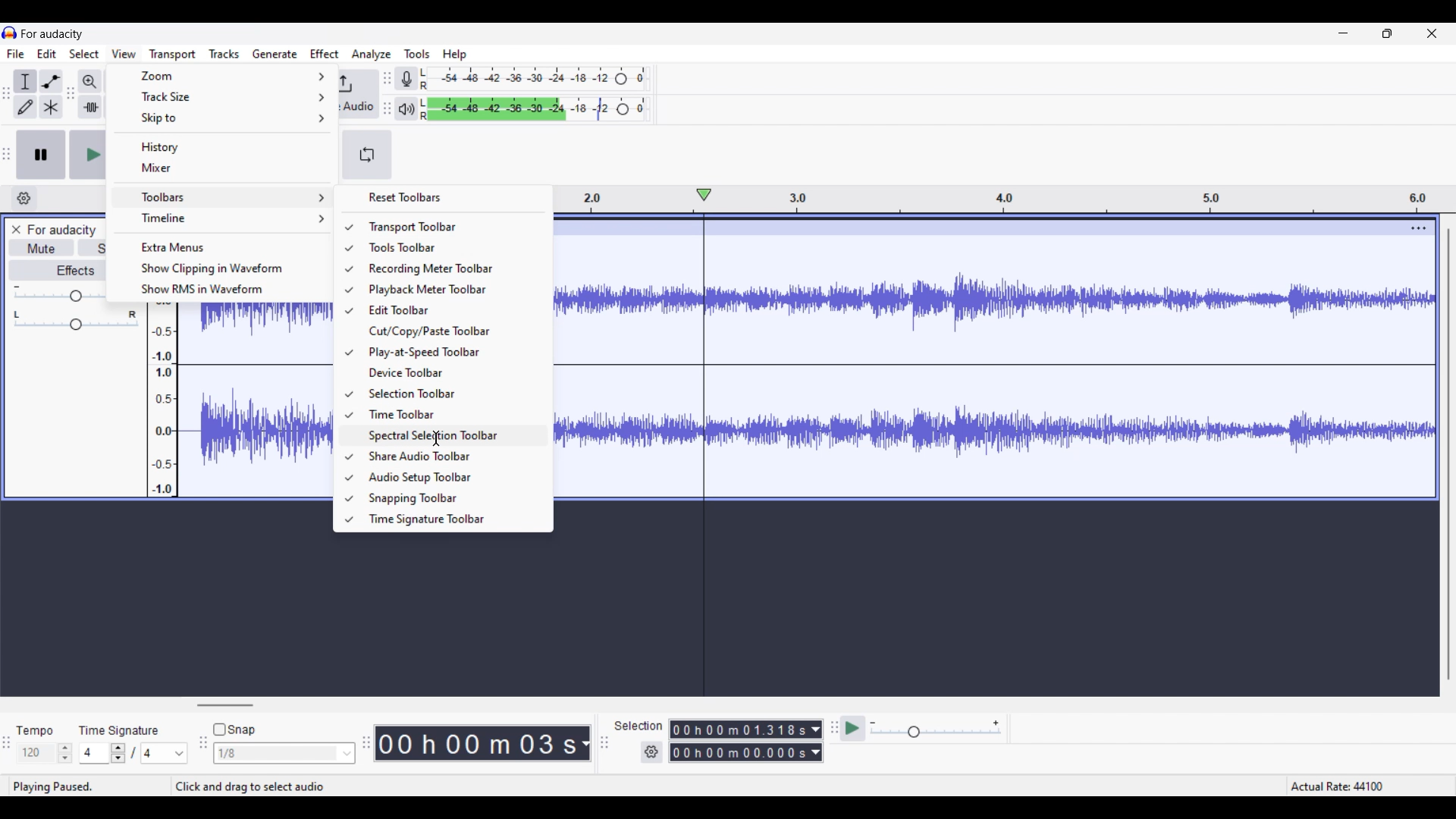 The width and height of the screenshot is (1456, 819). What do you see at coordinates (51, 106) in the screenshot?
I see `Multi tool` at bounding box center [51, 106].